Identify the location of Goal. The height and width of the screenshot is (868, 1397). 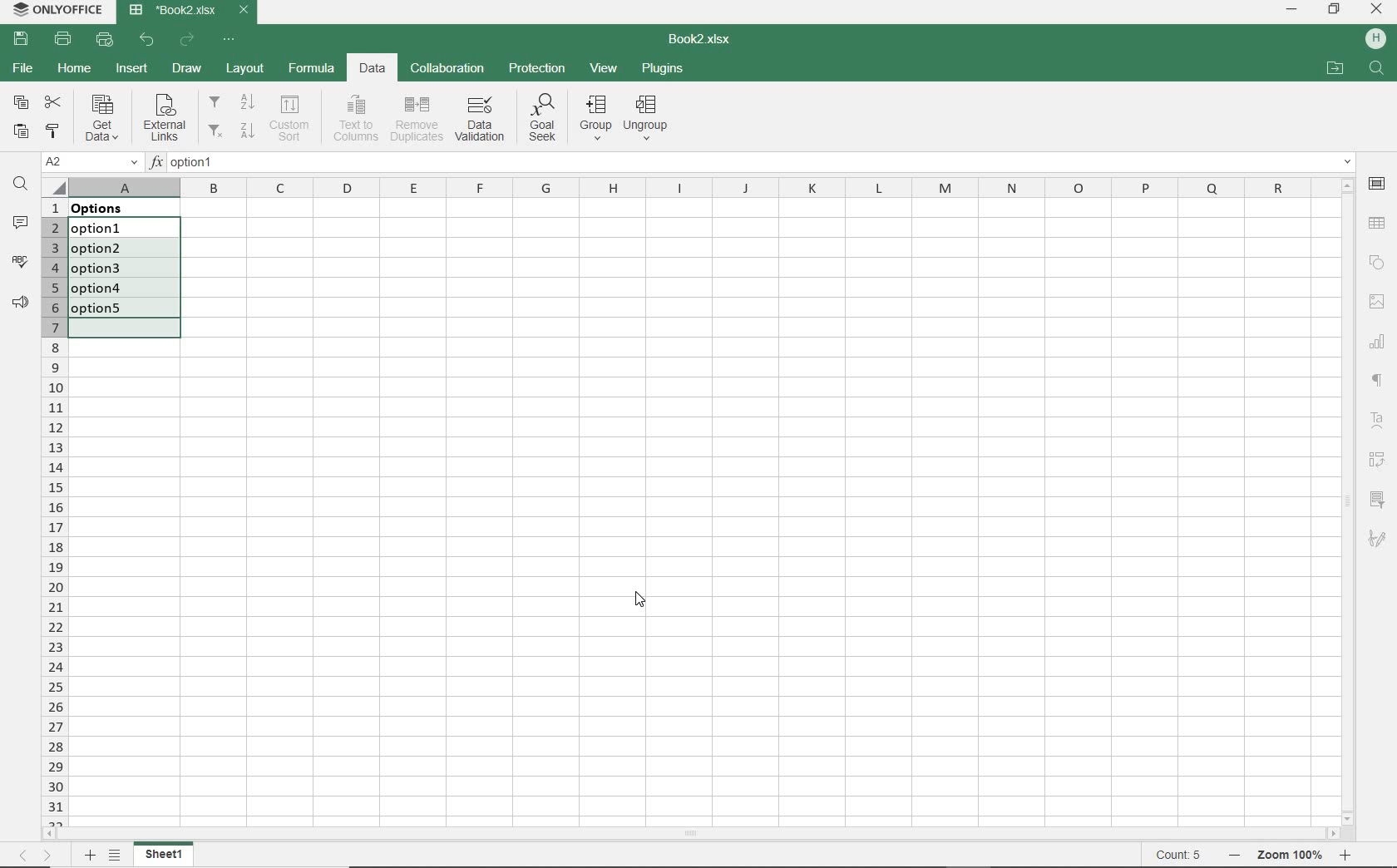
(540, 121).